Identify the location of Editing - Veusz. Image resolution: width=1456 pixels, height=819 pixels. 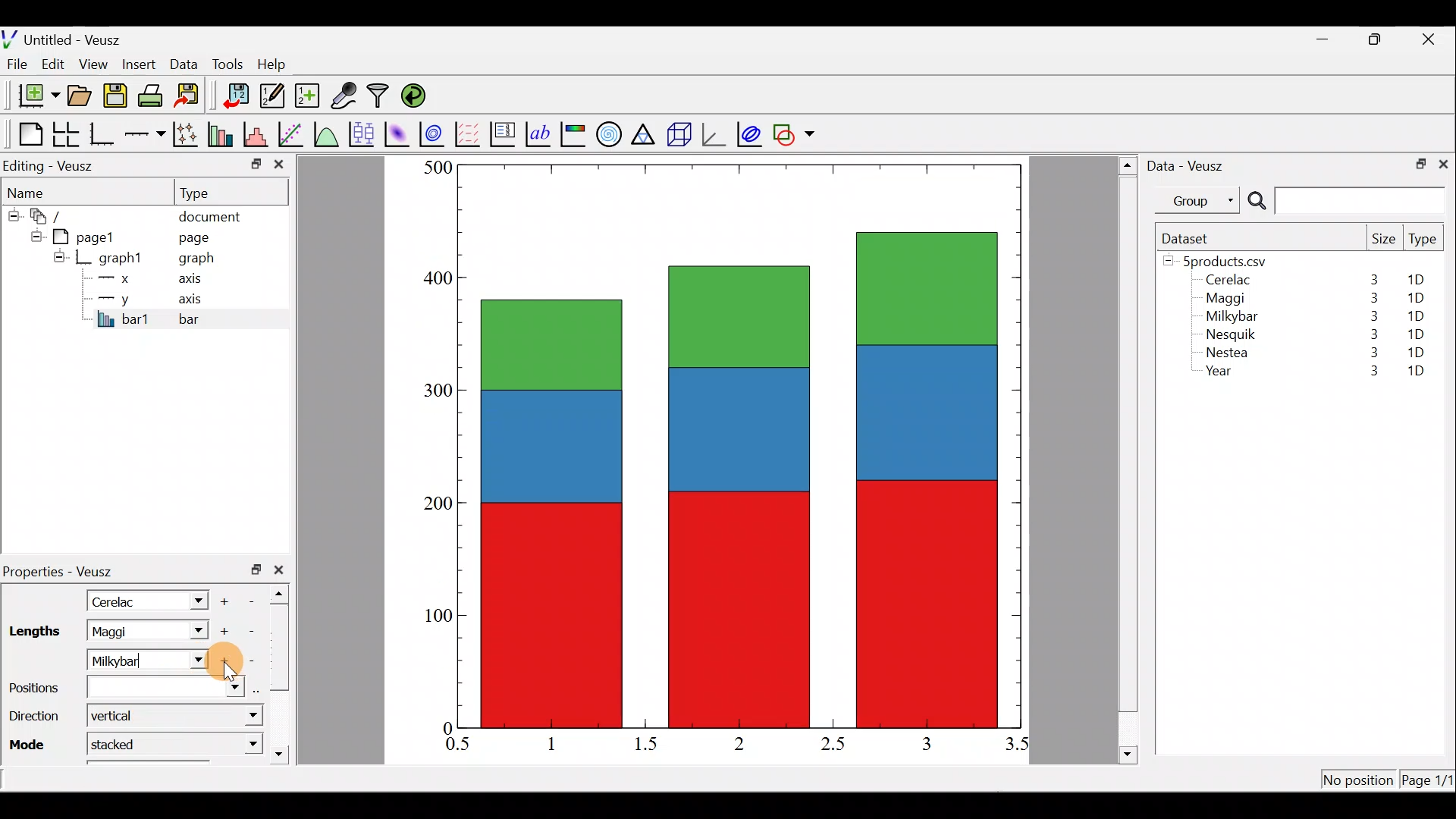
(52, 165).